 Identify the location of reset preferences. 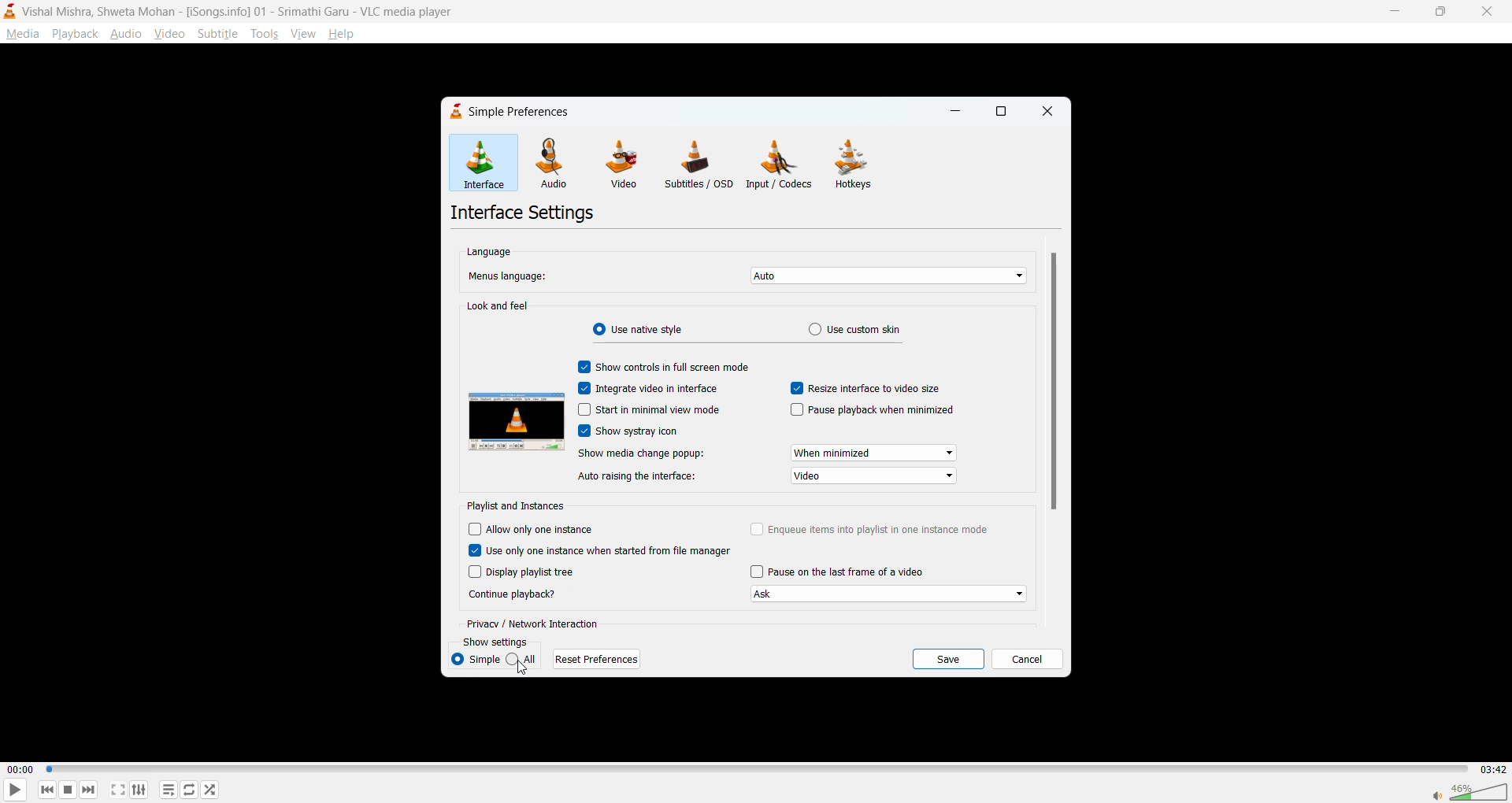
(599, 659).